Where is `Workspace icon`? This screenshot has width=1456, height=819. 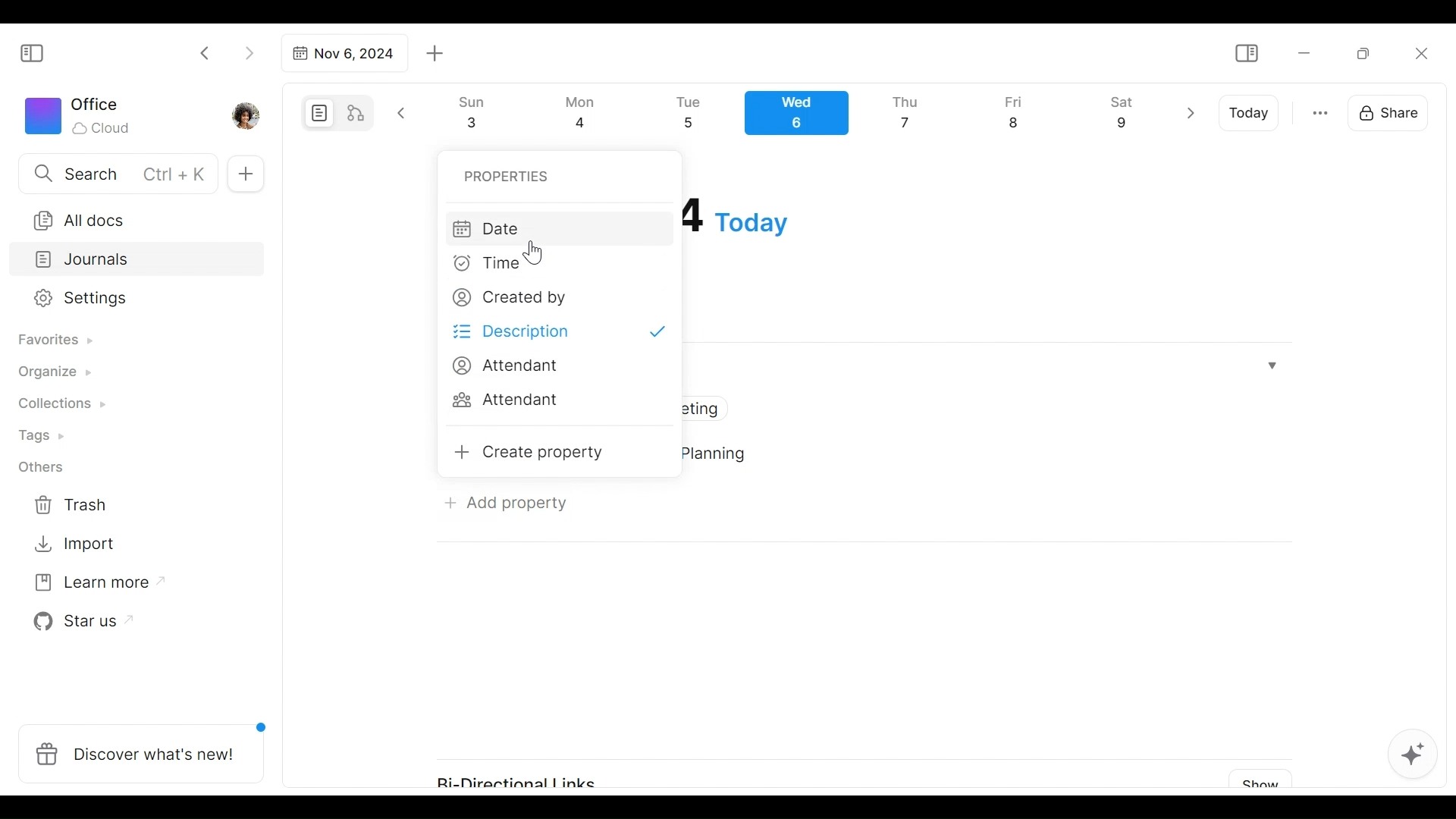
Workspace icon is located at coordinates (80, 114).